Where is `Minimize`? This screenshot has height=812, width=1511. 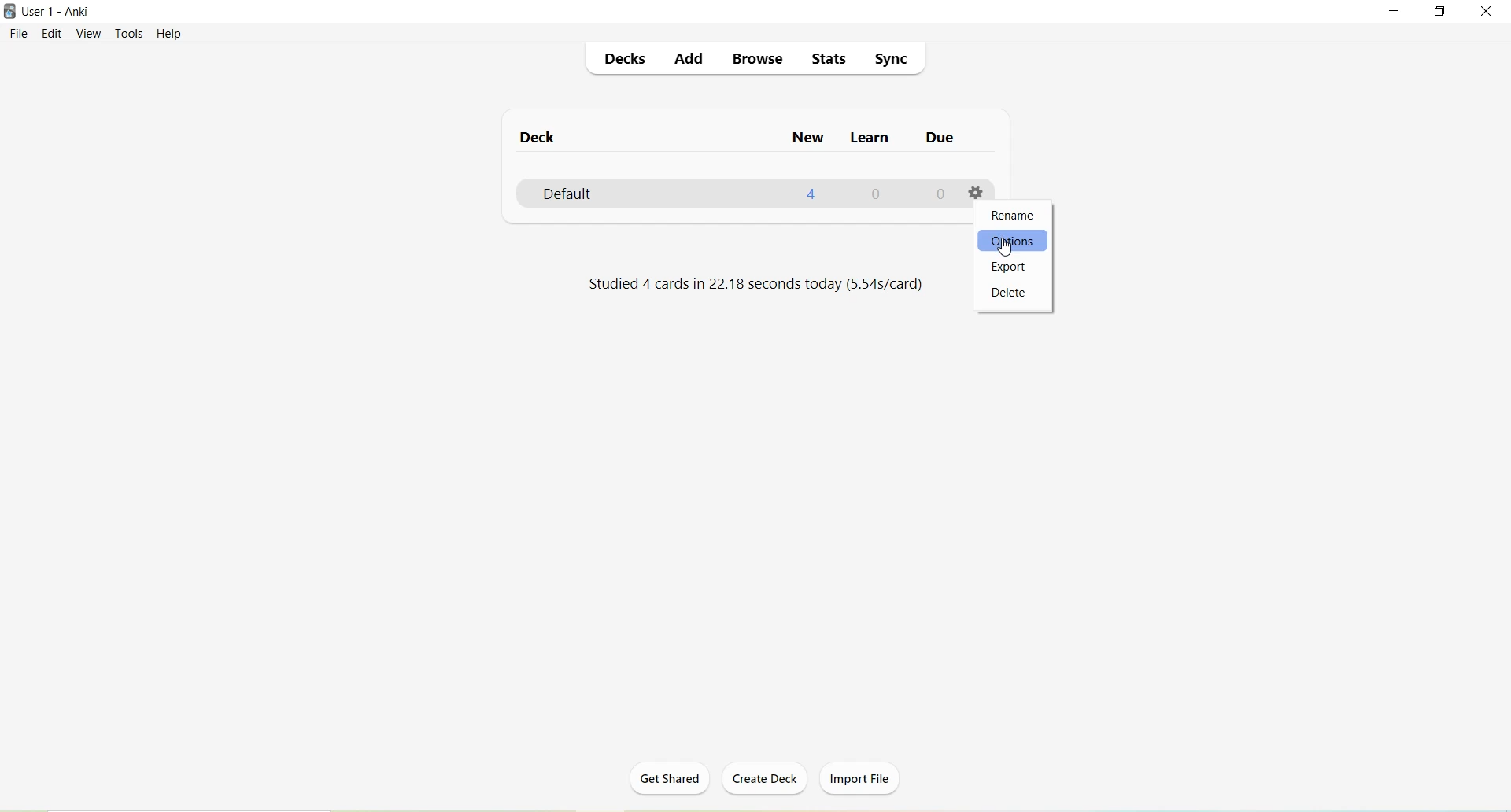
Minimize is located at coordinates (1395, 13).